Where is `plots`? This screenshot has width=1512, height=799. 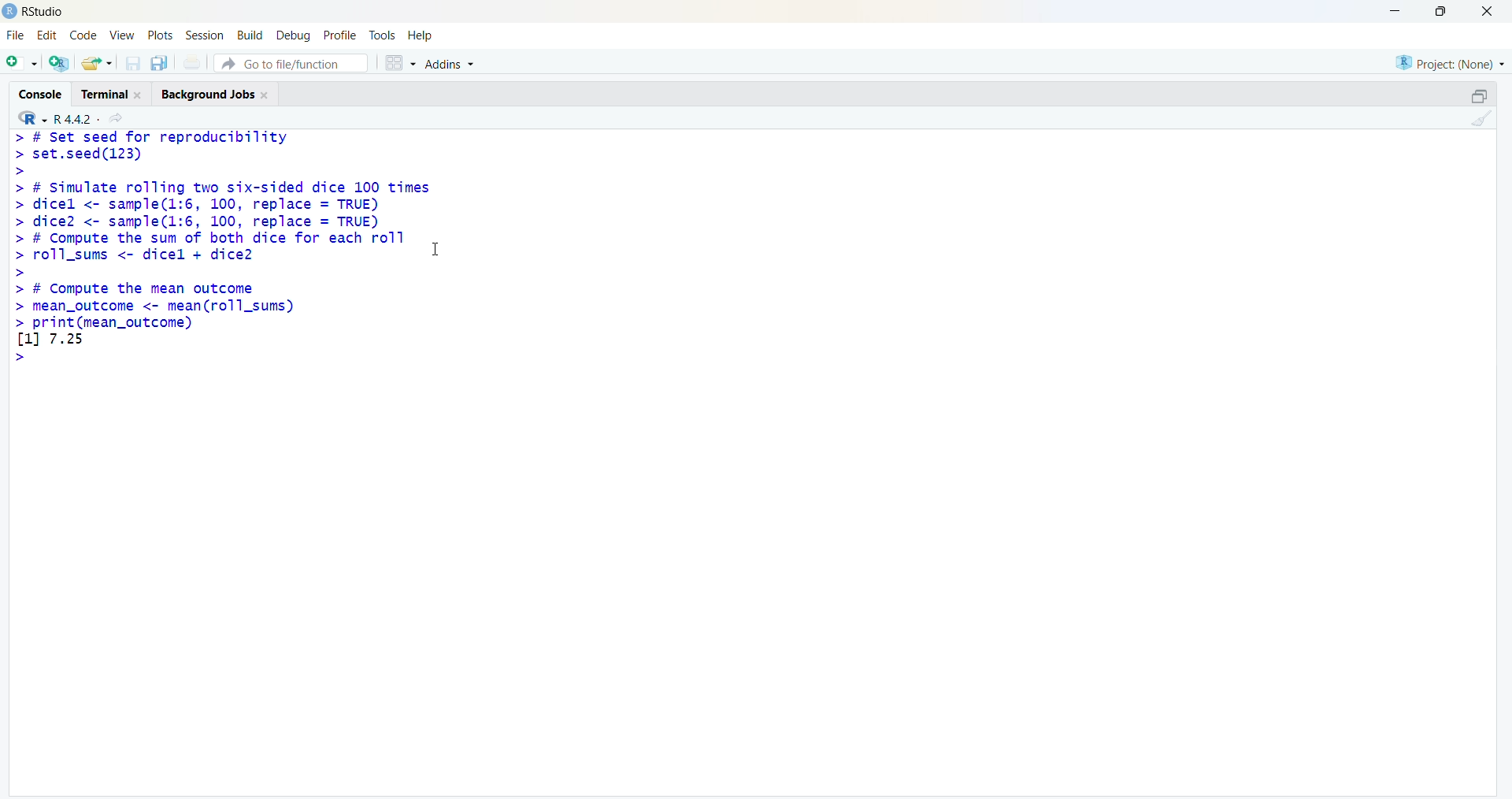
plots is located at coordinates (161, 34).